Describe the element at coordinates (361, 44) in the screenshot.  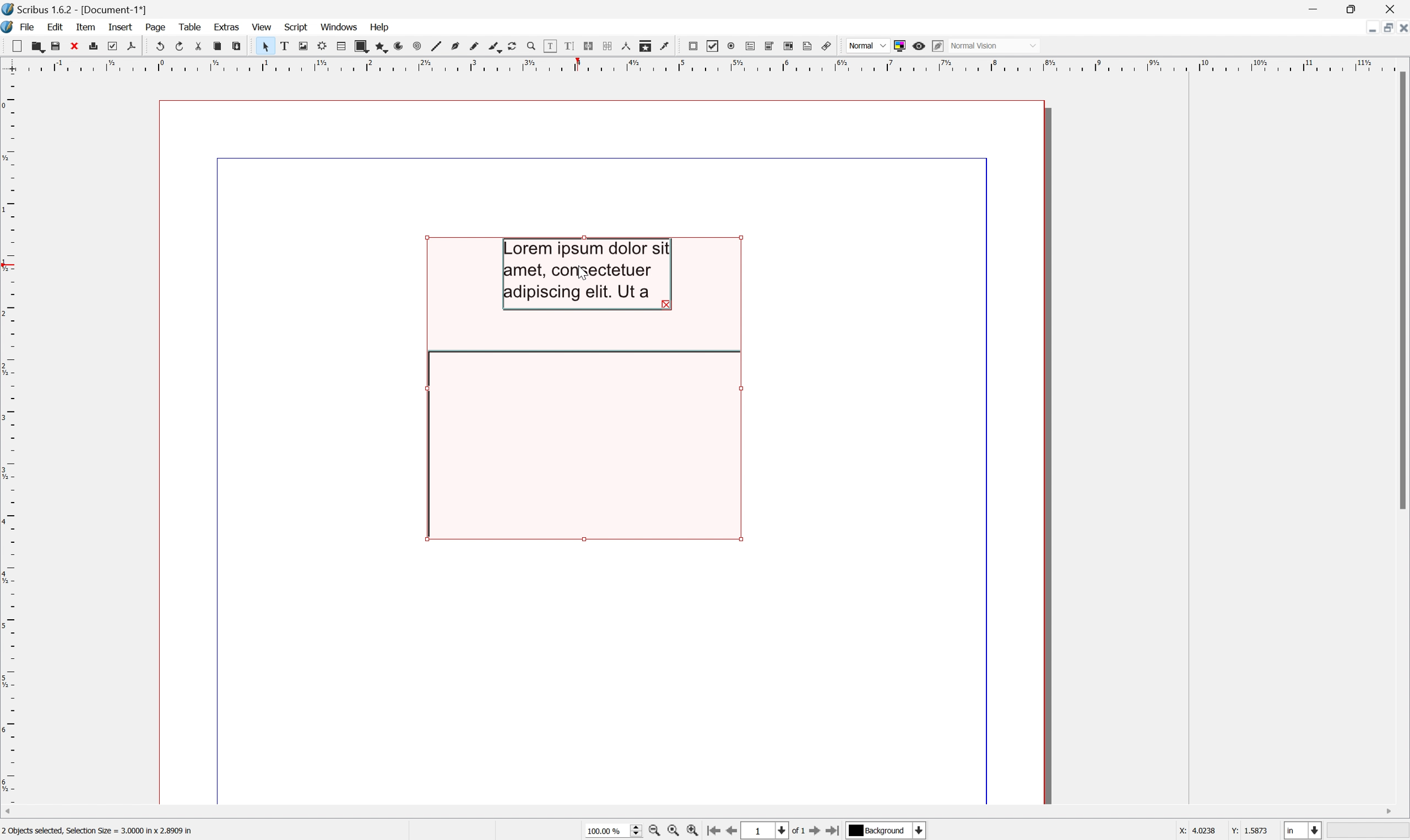
I see `Shape` at that location.